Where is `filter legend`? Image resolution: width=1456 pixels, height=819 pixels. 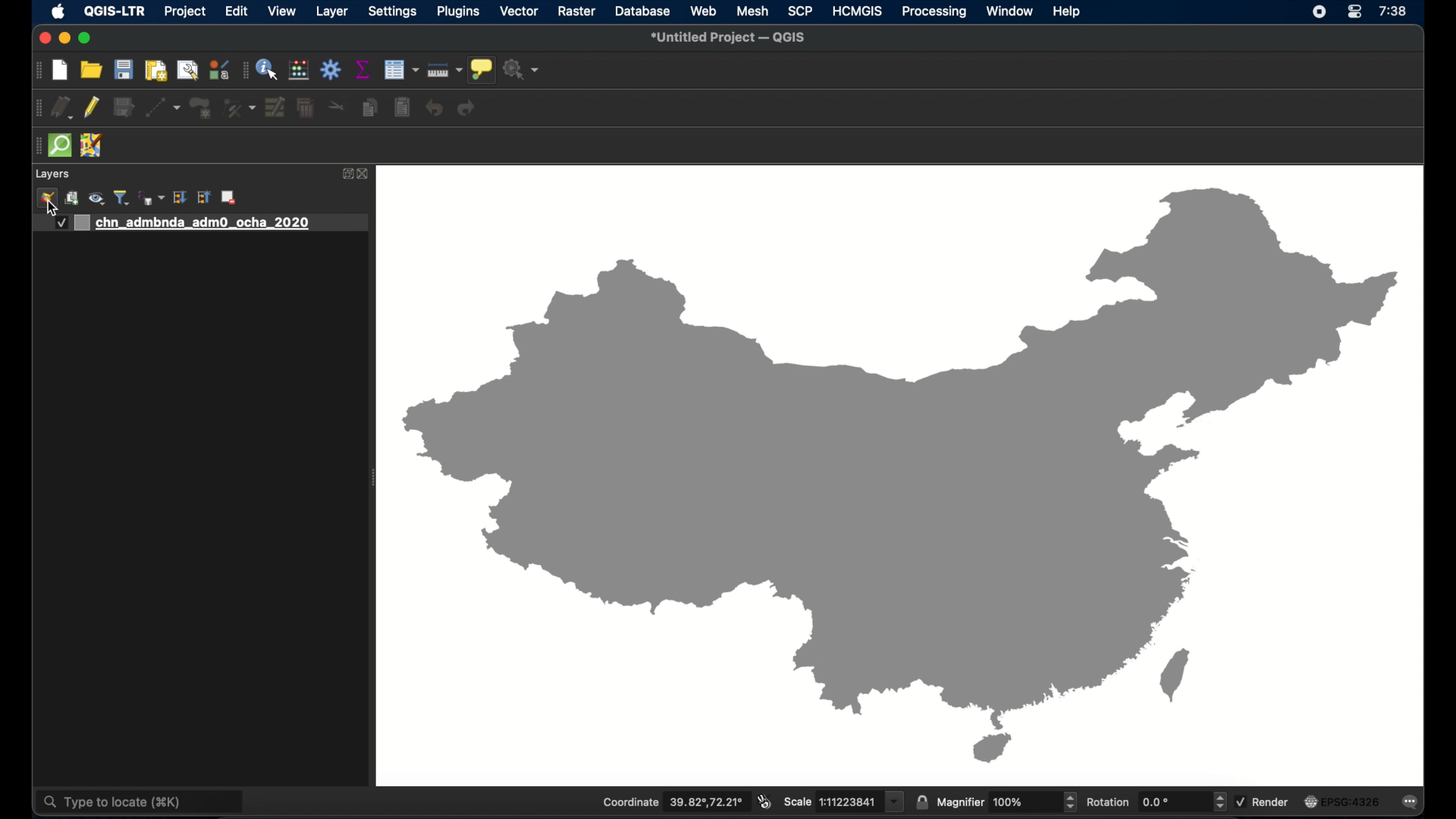 filter legend is located at coordinates (122, 197).